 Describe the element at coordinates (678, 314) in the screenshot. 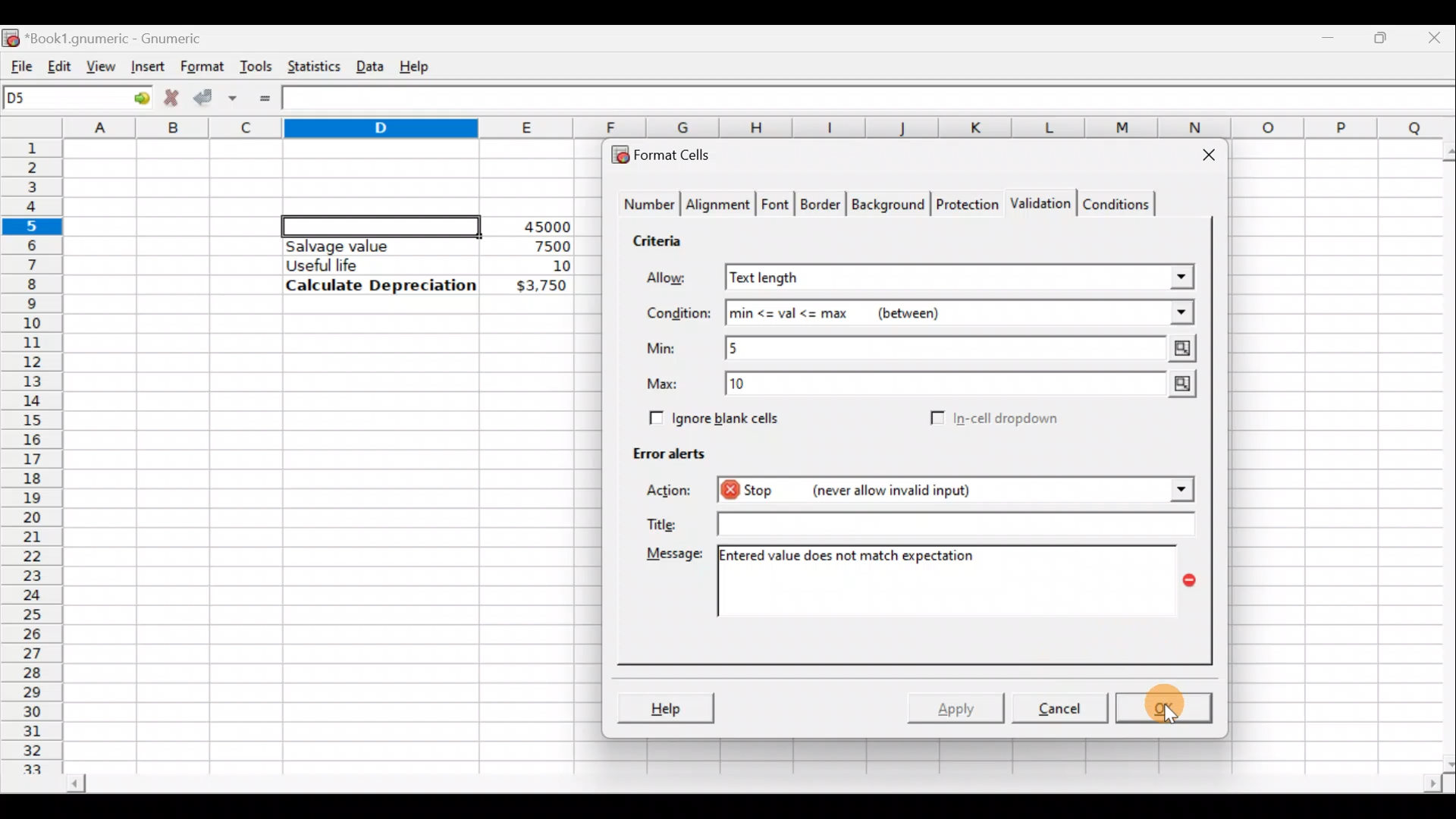

I see `Condition` at that location.